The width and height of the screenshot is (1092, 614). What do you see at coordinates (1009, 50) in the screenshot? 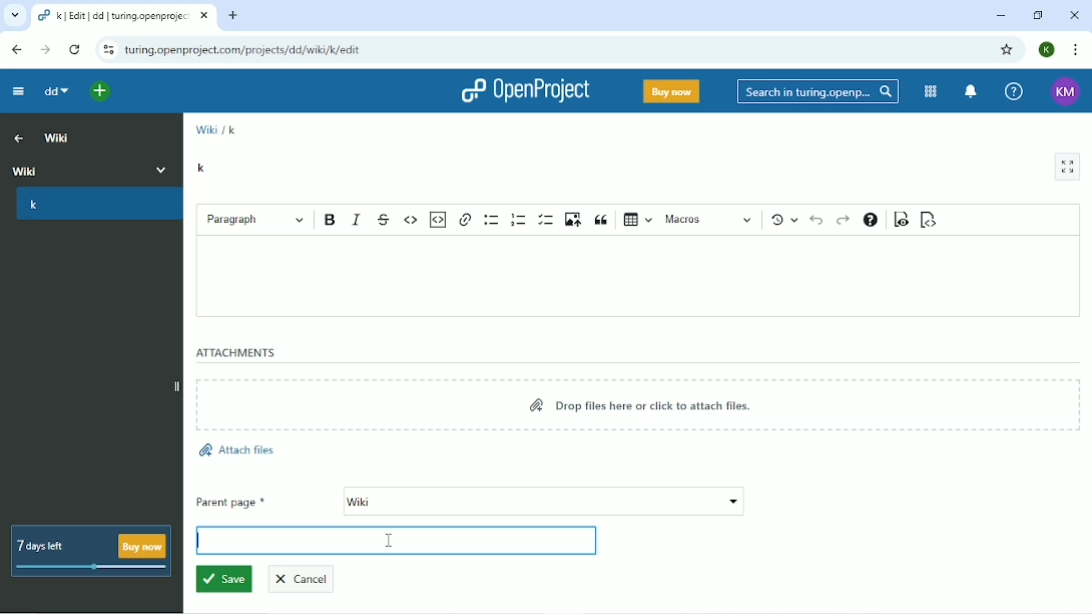
I see `Bookmark this tab` at bounding box center [1009, 50].